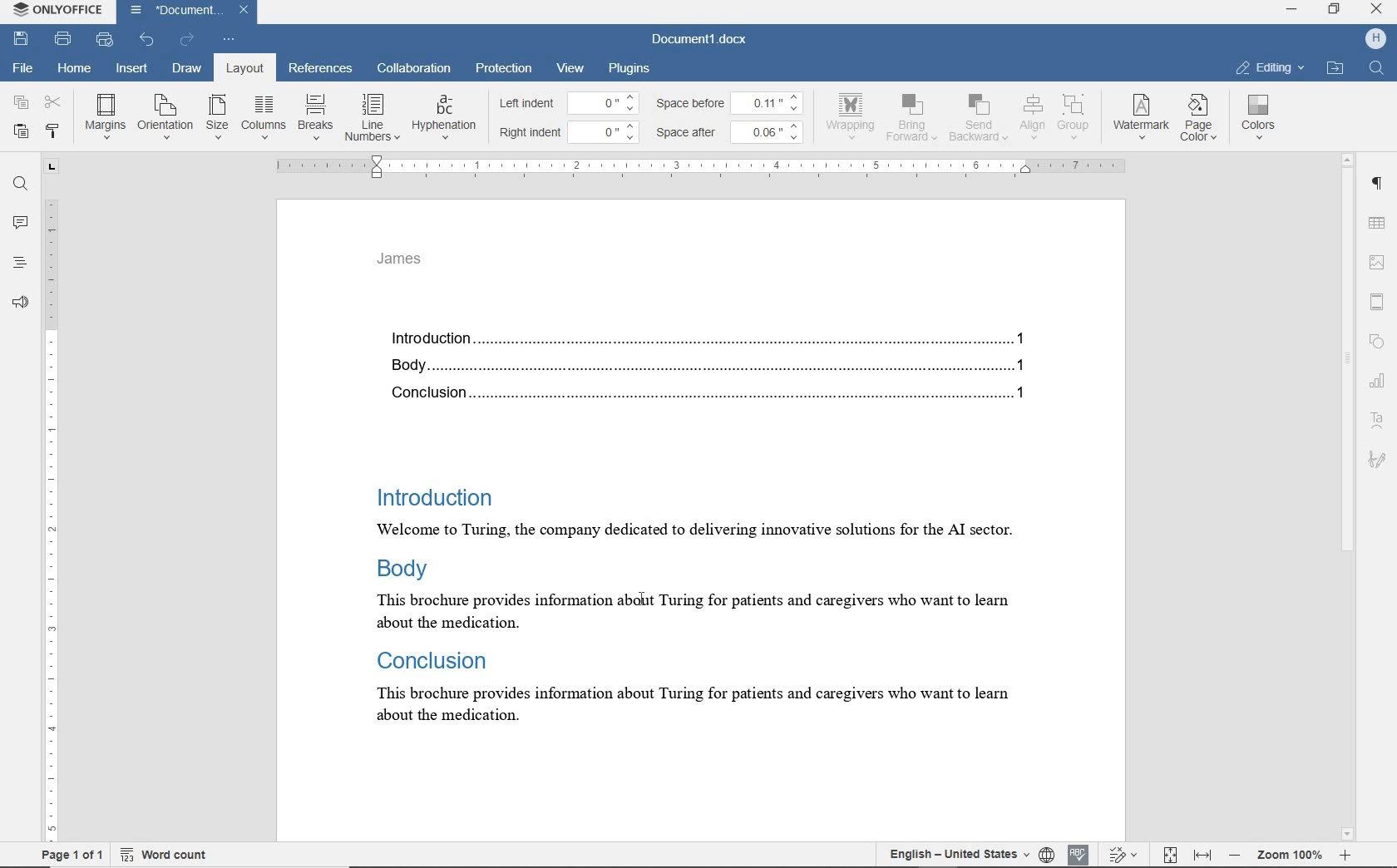 The width and height of the screenshot is (1397, 868). What do you see at coordinates (607, 130) in the screenshot?
I see `0` at bounding box center [607, 130].